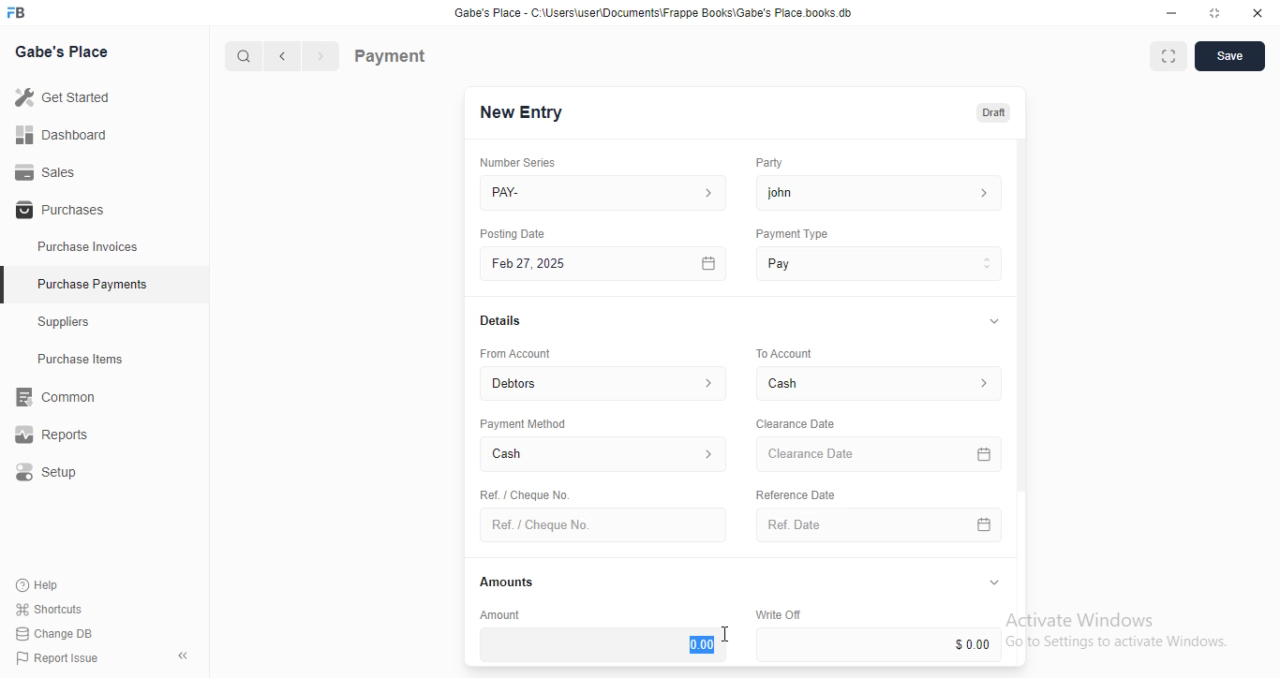 This screenshot has height=678, width=1280. I want to click on Clearance Date, so click(882, 455).